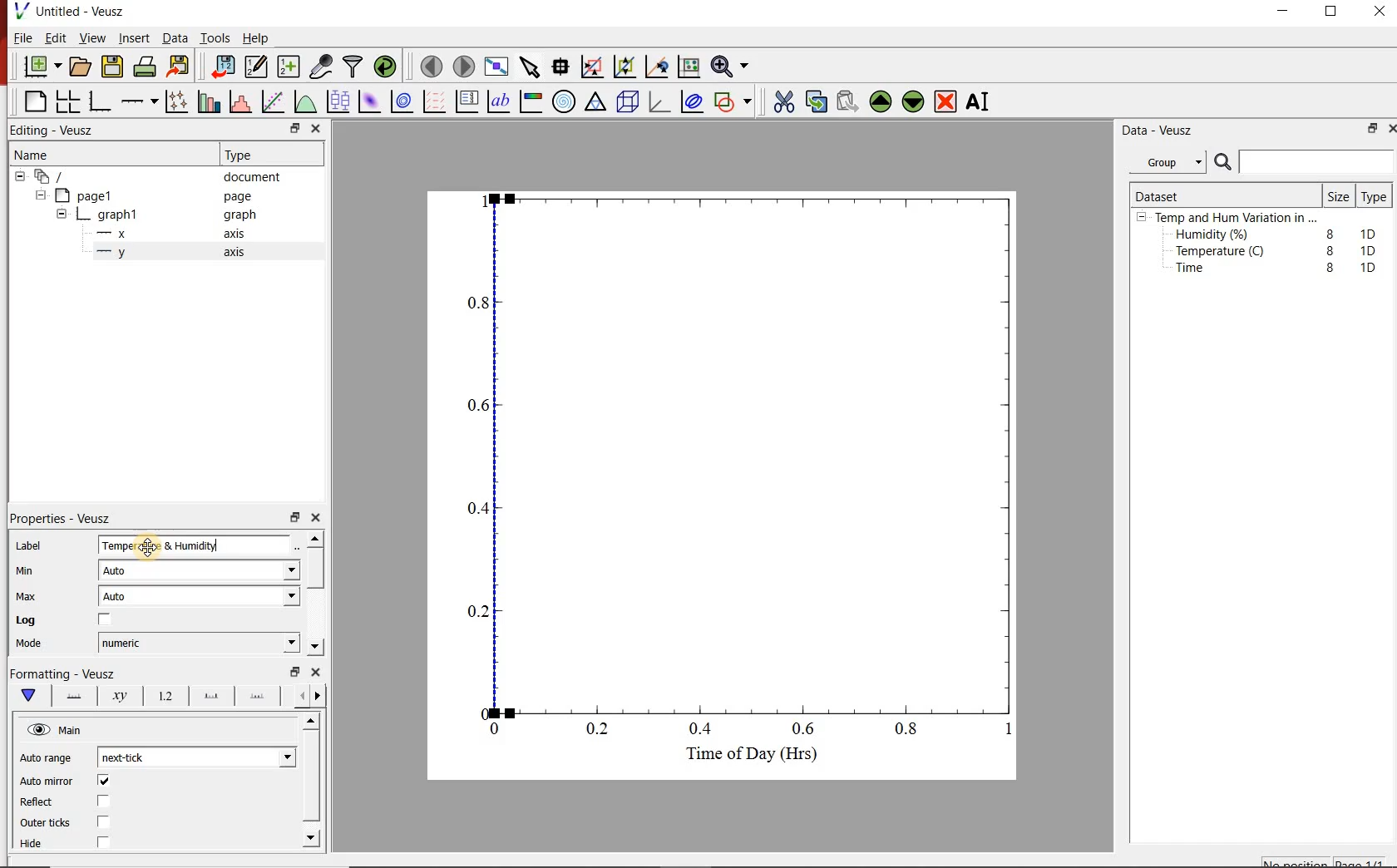  What do you see at coordinates (292, 672) in the screenshot?
I see `restore down` at bounding box center [292, 672].